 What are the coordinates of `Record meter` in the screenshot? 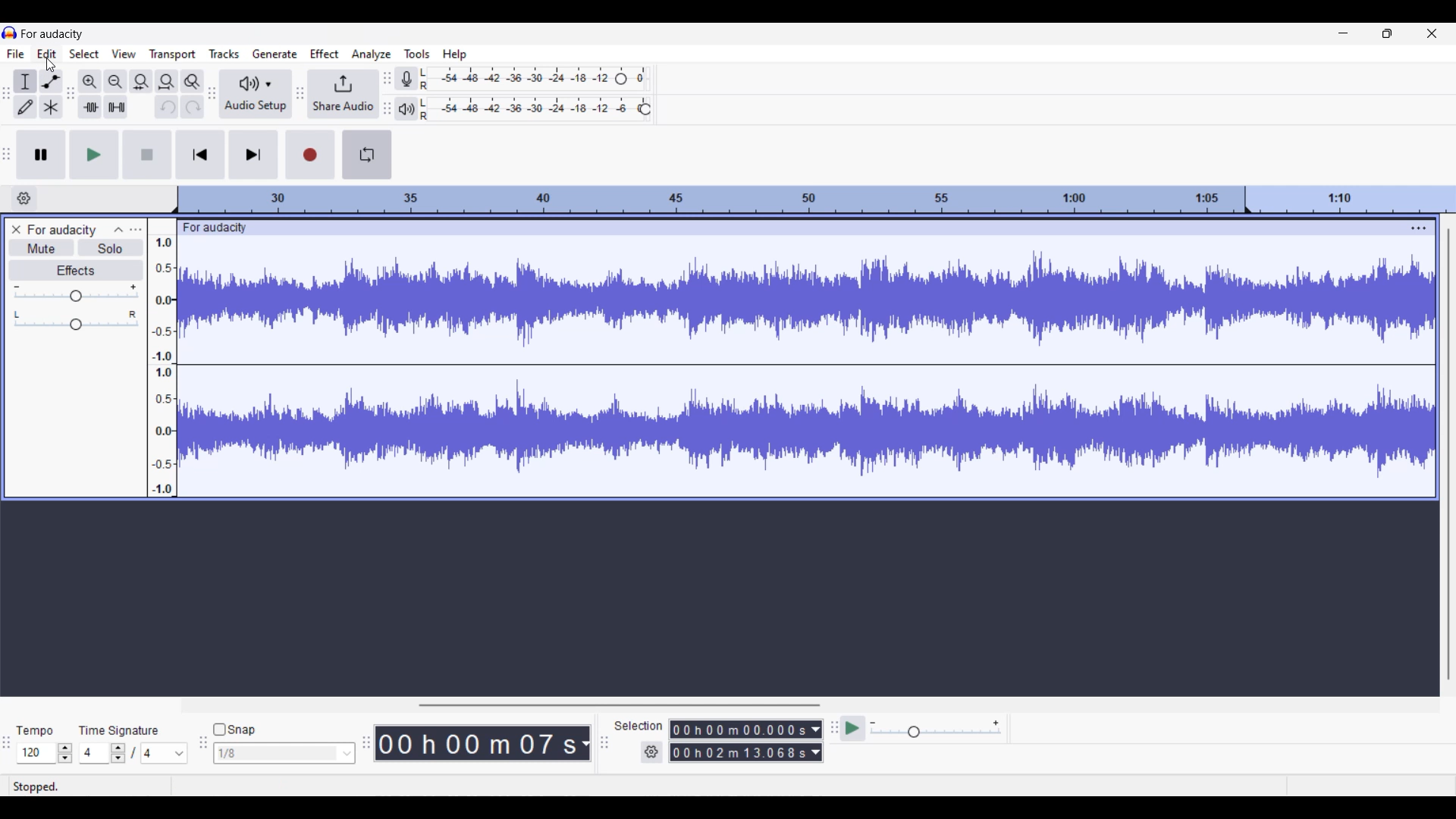 It's located at (406, 78).